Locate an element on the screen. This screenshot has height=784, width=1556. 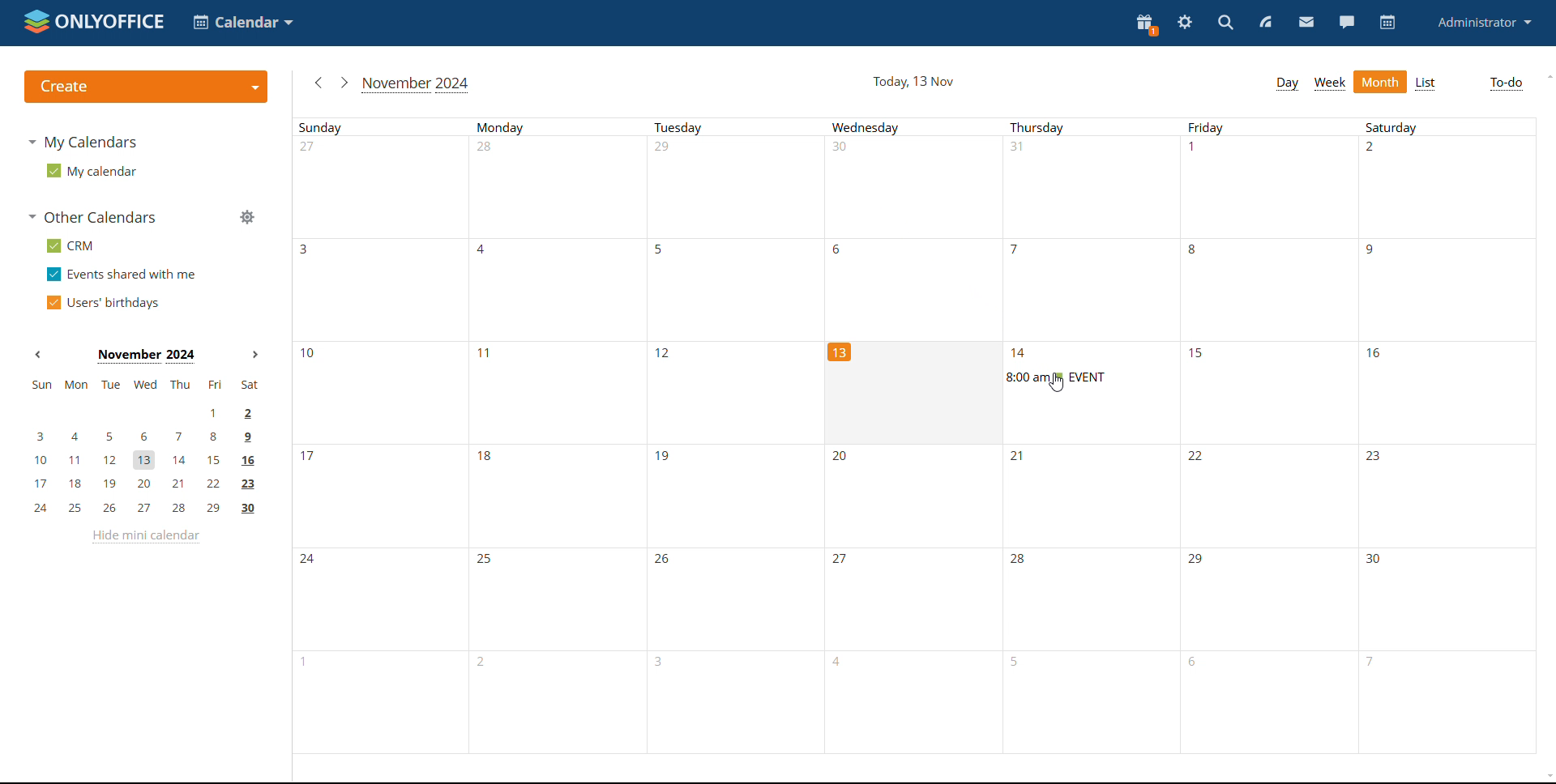
calendar is located at coordinates (1386, 23).